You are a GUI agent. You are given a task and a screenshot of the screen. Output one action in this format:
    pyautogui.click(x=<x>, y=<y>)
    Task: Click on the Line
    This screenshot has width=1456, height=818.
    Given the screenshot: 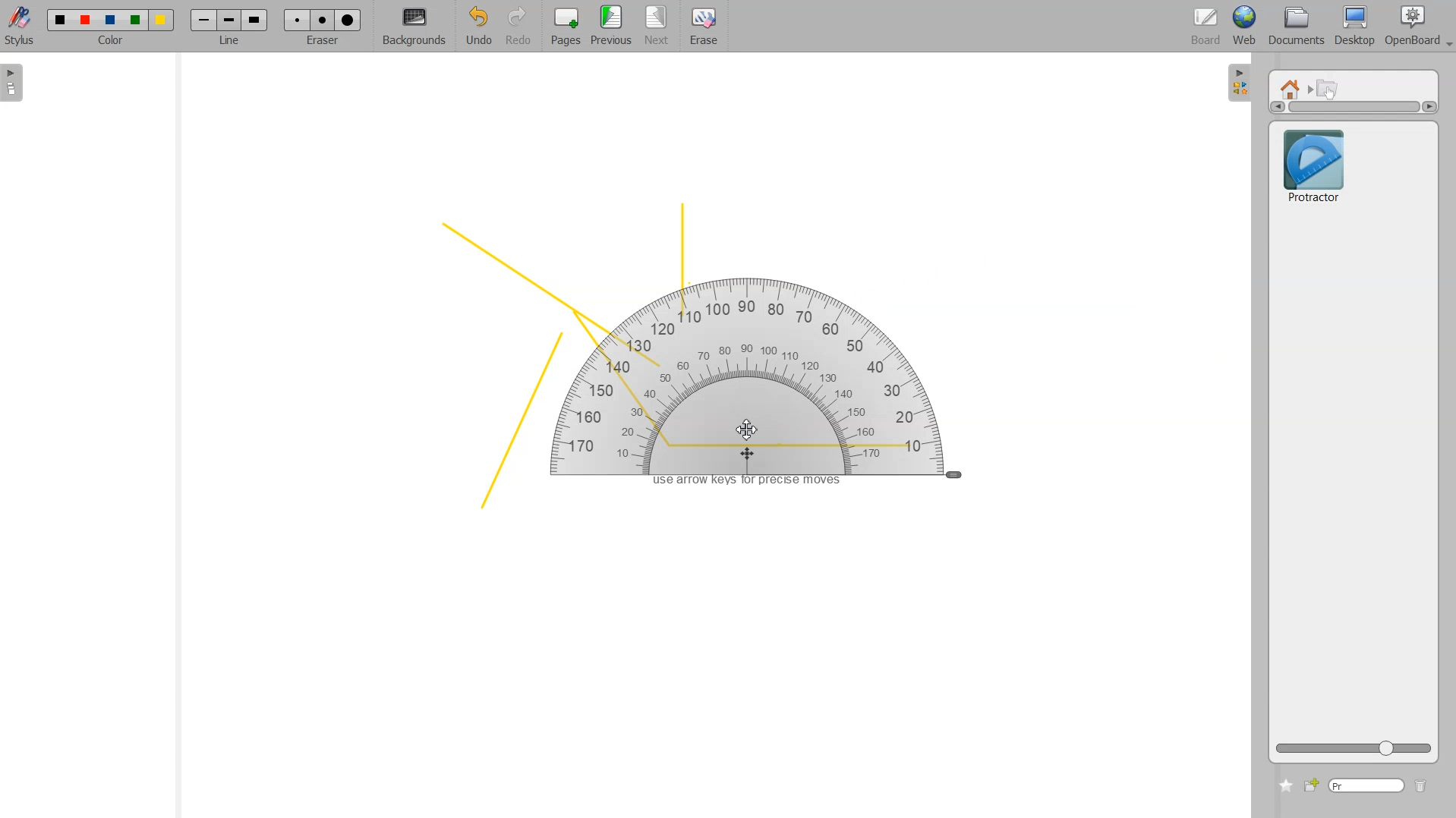 What is the action you would take?
    pyautogui.click(x=229, y=20)
    